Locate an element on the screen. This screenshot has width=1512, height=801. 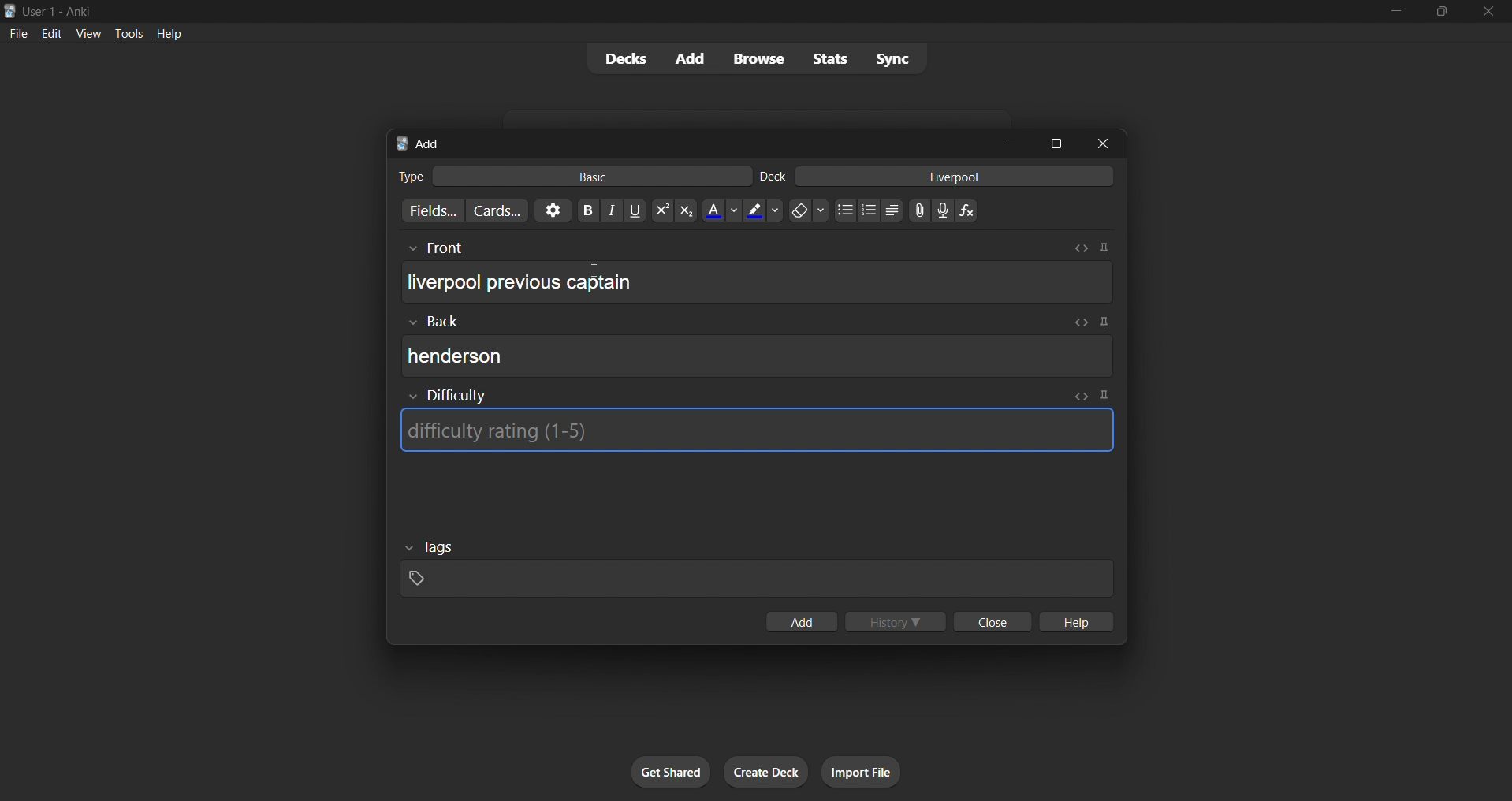
file is located at coordinates (15, 33).